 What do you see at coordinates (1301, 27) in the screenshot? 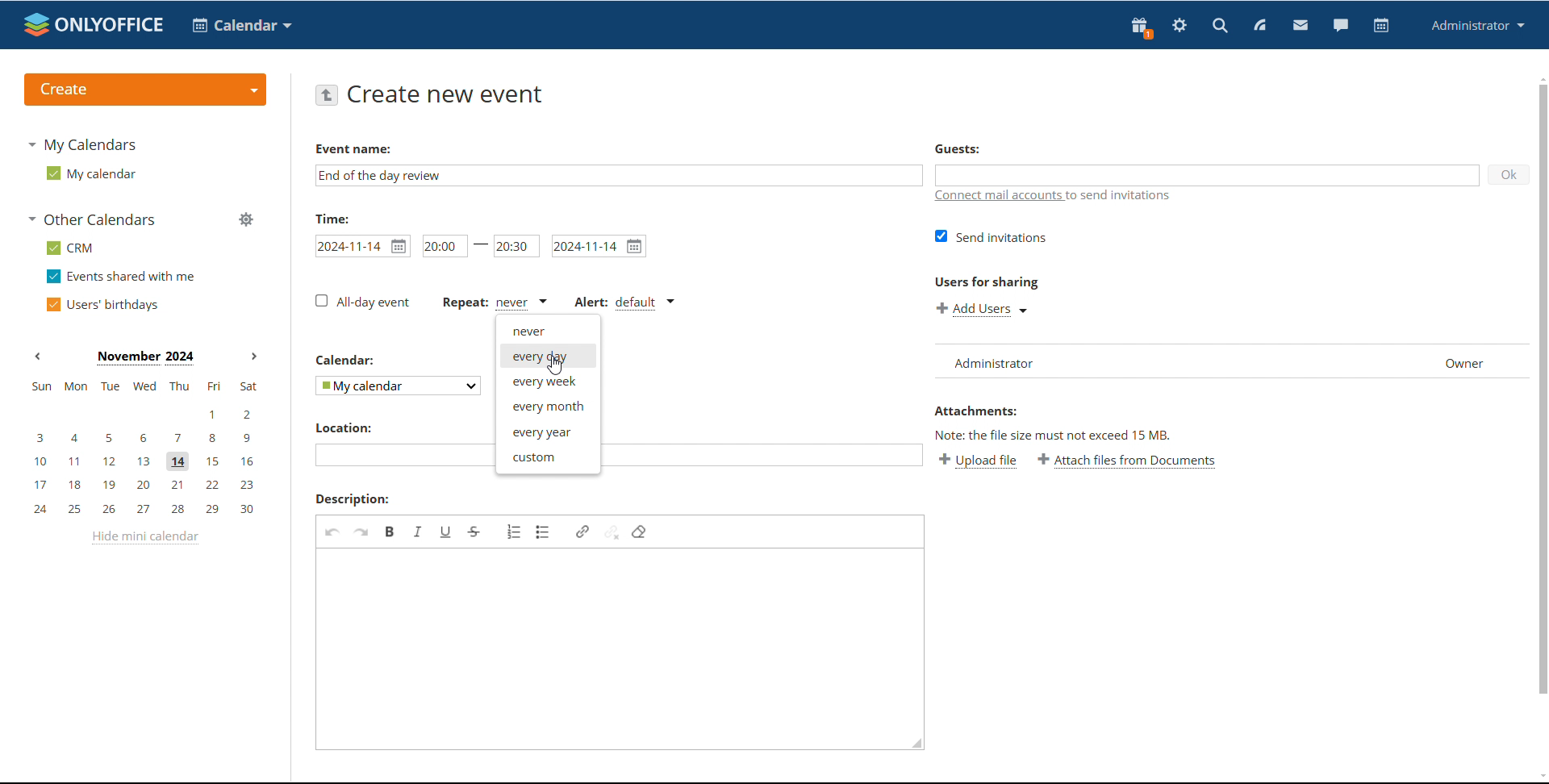
I see `mail` at bounding box center [1301, 27].